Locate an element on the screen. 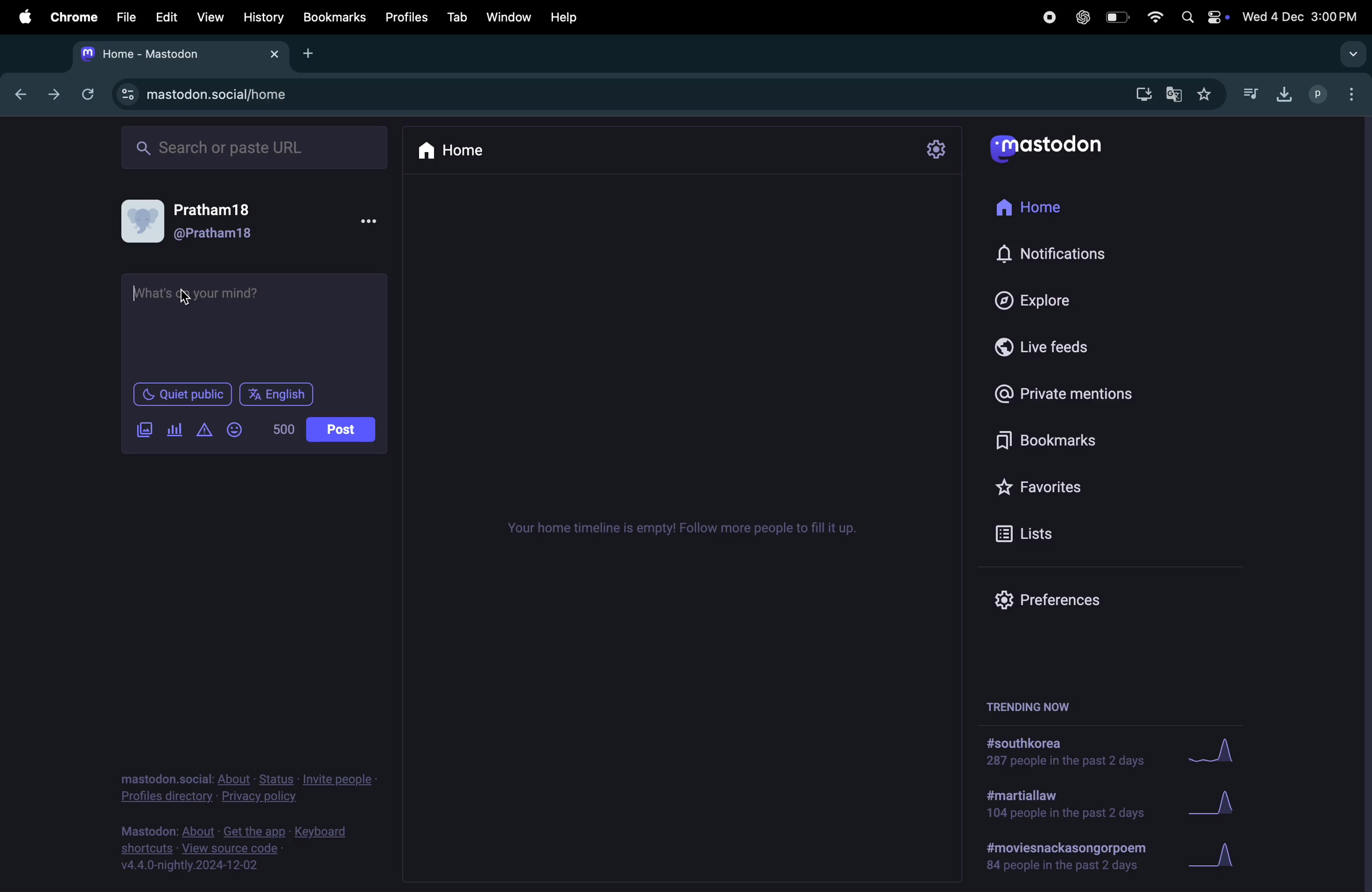 This screenshot has height=892, width=1372. Mastodon is located at coordinates (1058, 147).